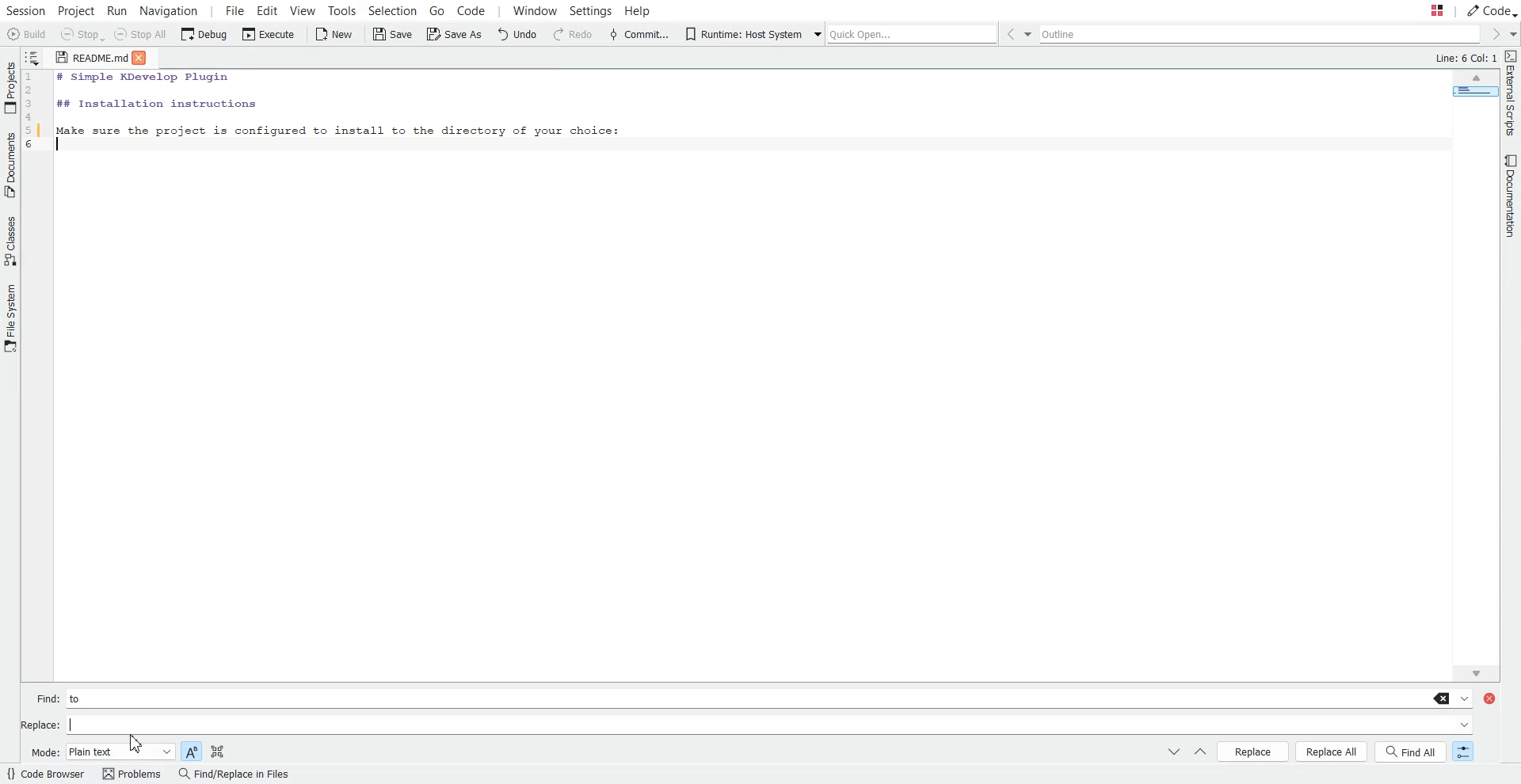  I want to click on Make sure the project is configured to install to the directory of your choice:, so click(338, 128).